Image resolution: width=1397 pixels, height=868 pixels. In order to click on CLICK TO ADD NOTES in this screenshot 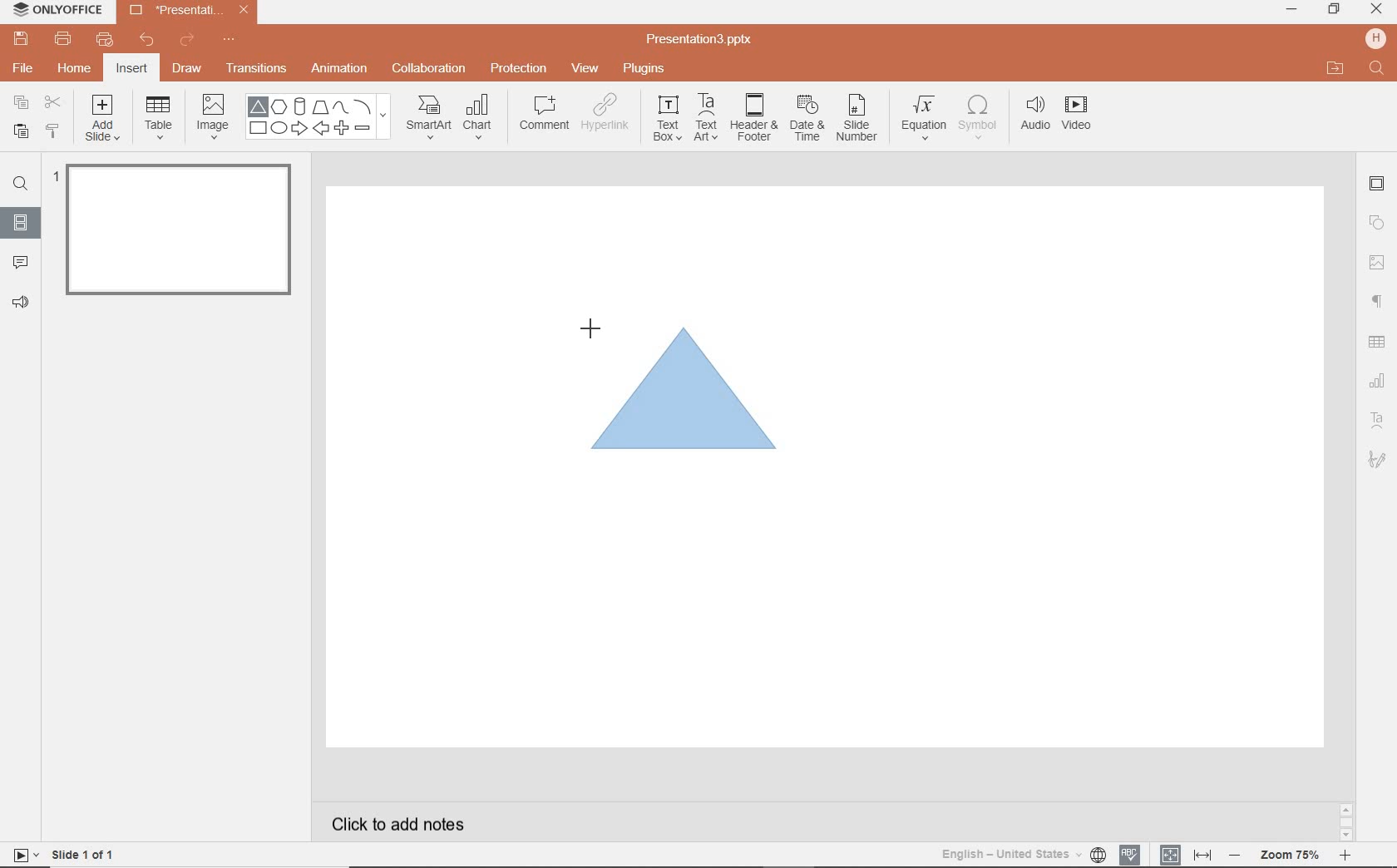, I will do `click(413, 824)`.